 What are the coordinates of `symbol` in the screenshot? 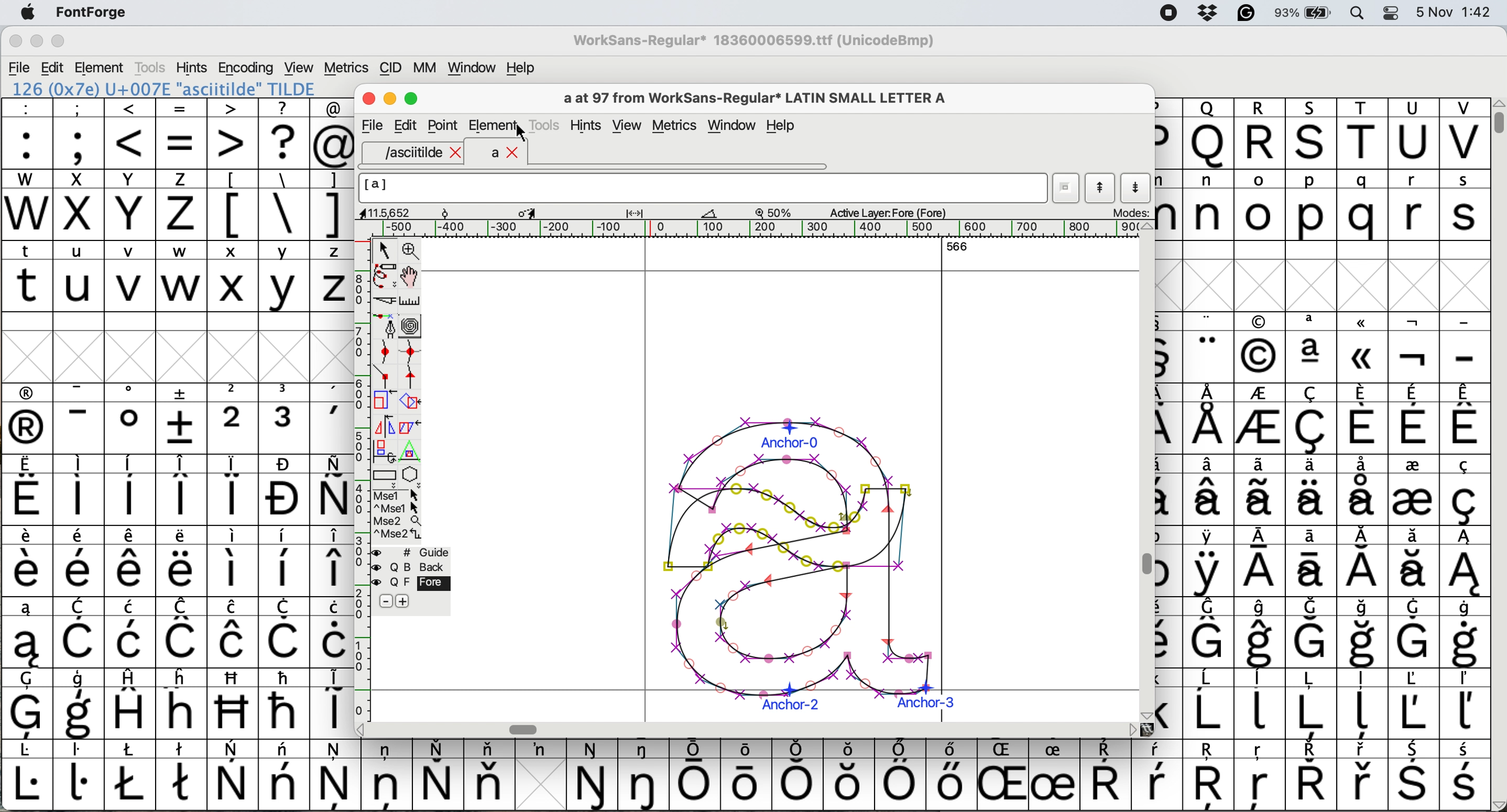 It's located at (593, 776).